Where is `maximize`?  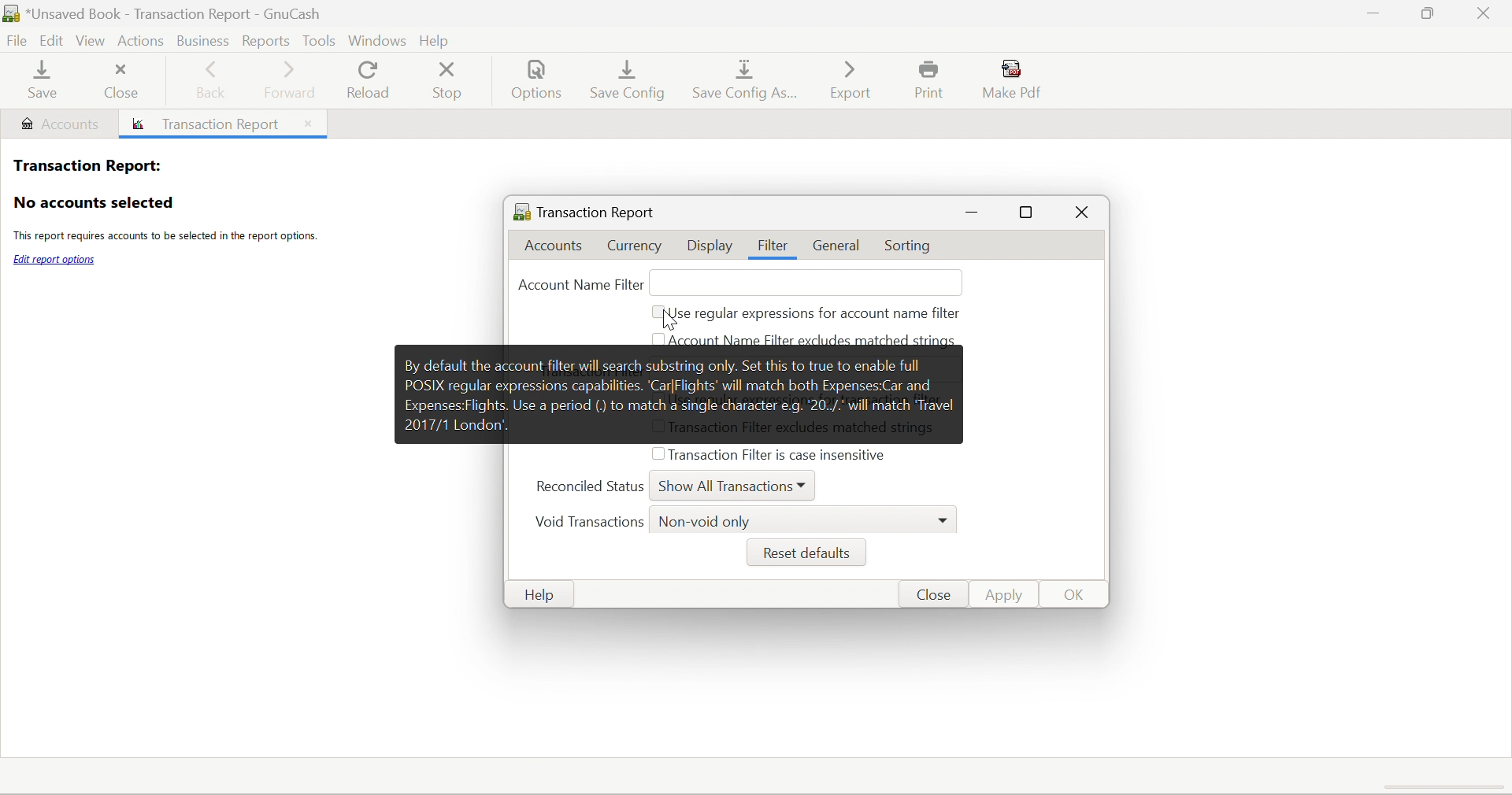 maximize is located at coordinates (1029, 214).